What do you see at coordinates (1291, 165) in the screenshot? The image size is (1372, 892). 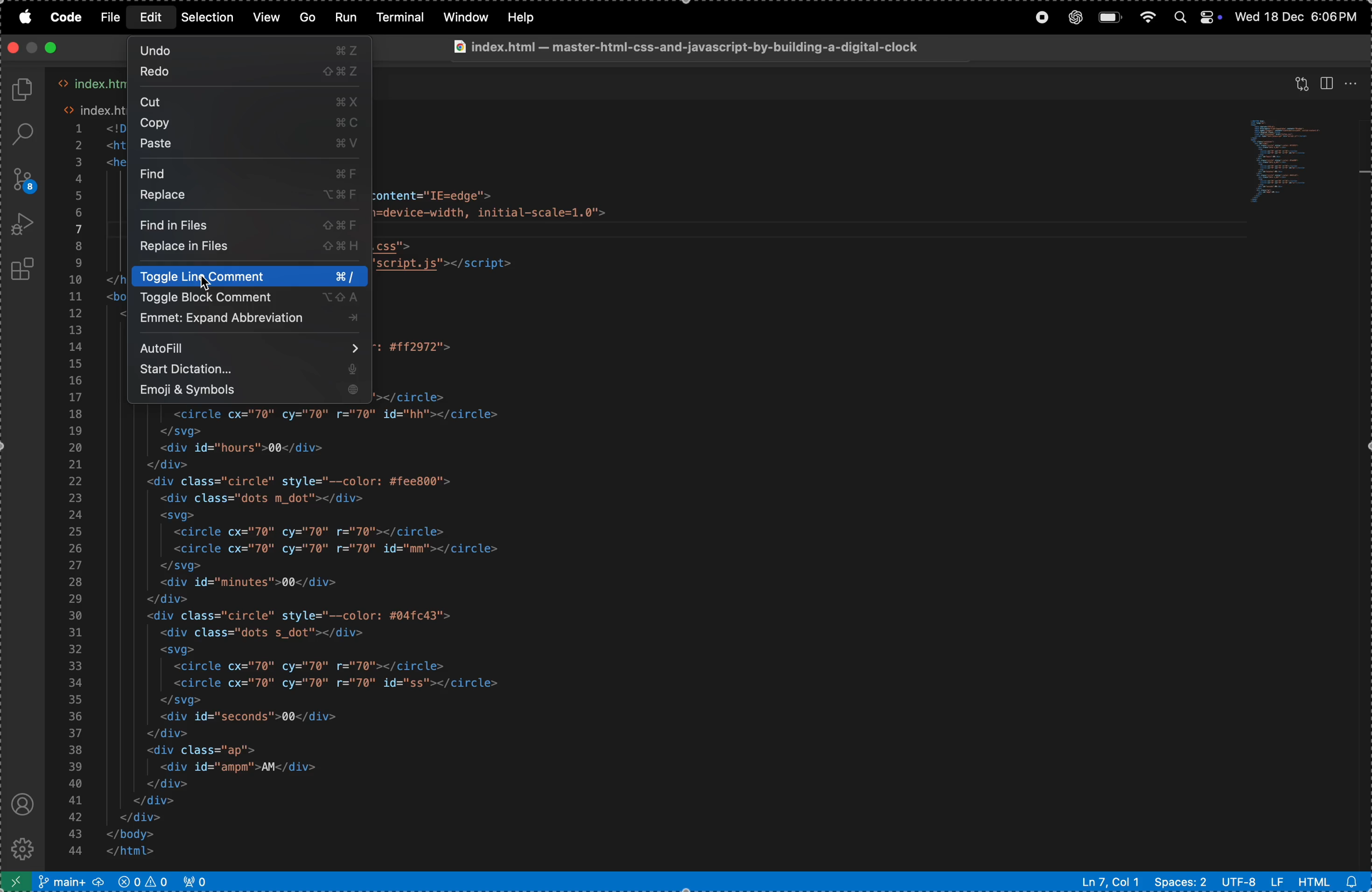 I see `code window` at bounding box center [1291, 165].